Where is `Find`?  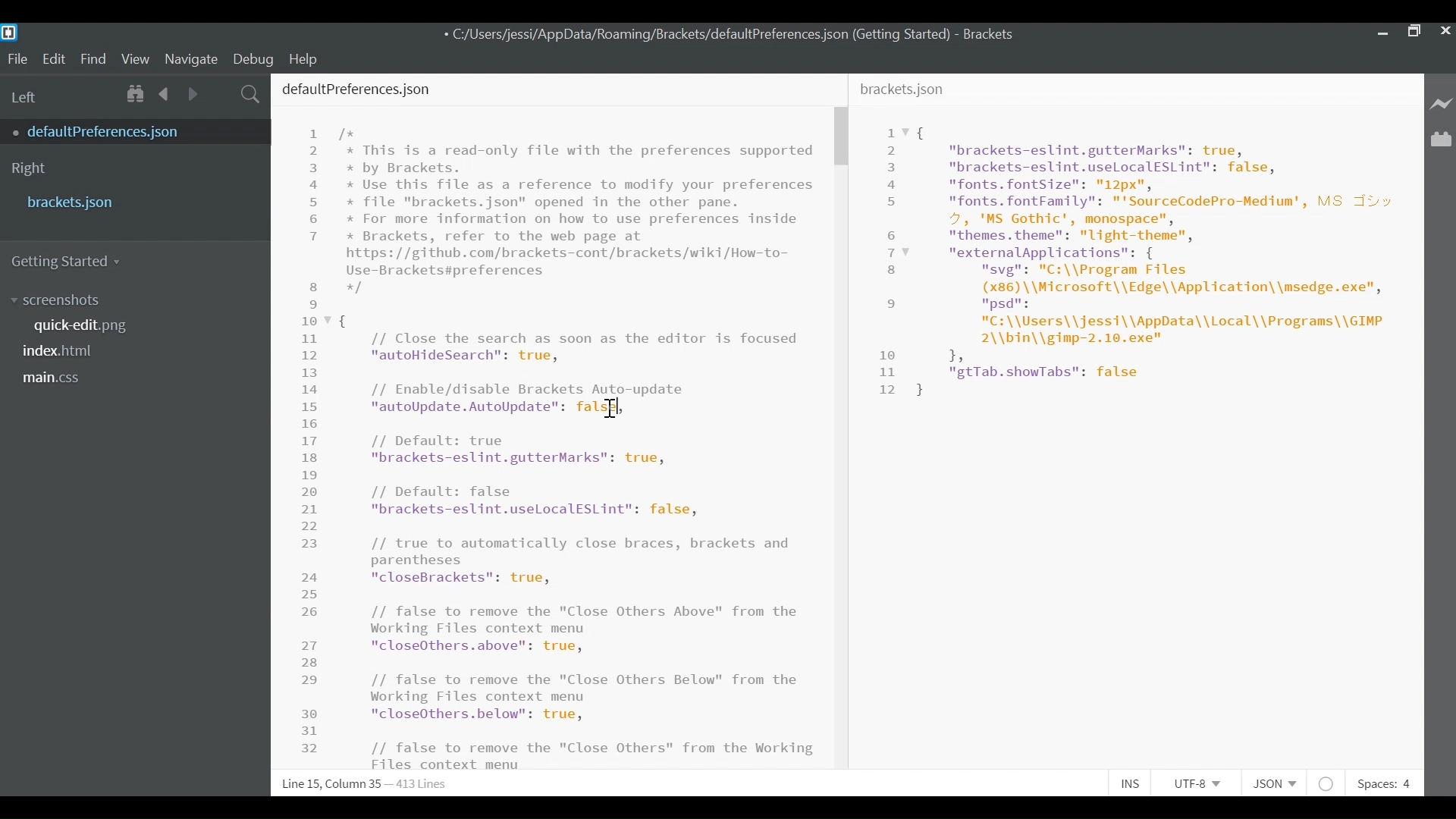
Find is located at coordinates (93, 58).